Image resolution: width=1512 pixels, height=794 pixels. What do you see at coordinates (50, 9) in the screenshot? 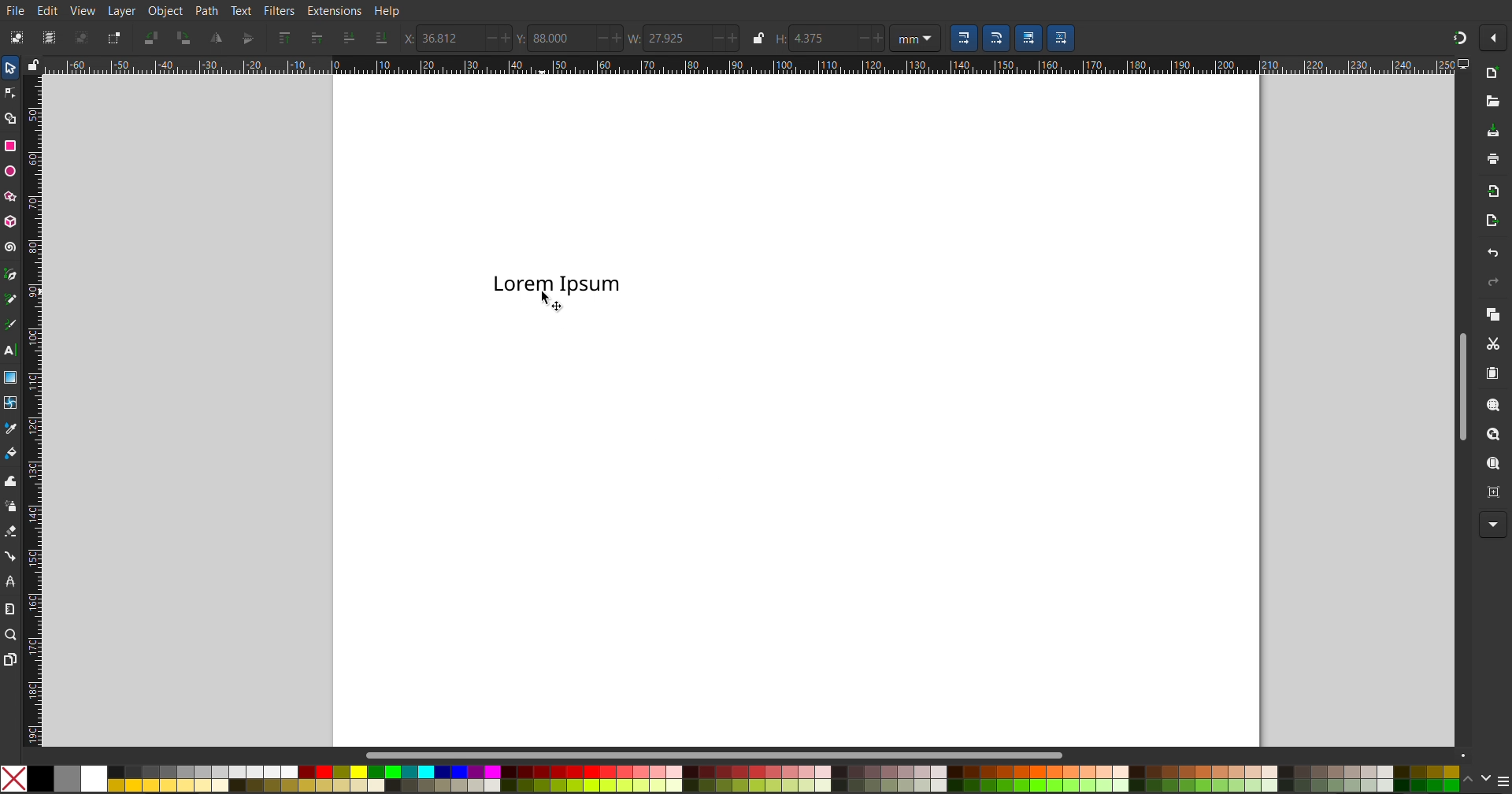
I see `Edit` at bounding box center [50, 9].